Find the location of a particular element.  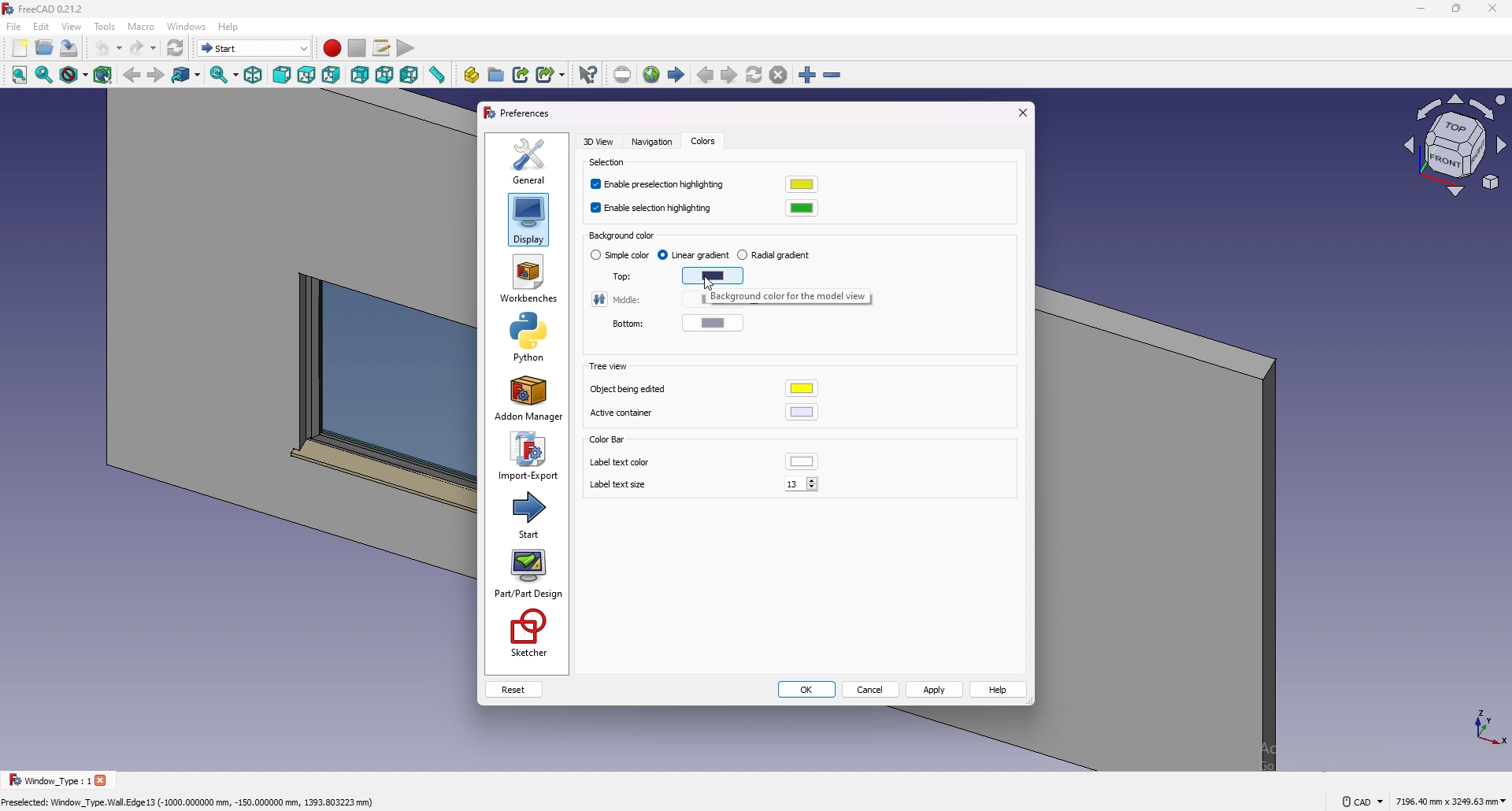

preselection highlighting color is located at coordinates (802, 184).